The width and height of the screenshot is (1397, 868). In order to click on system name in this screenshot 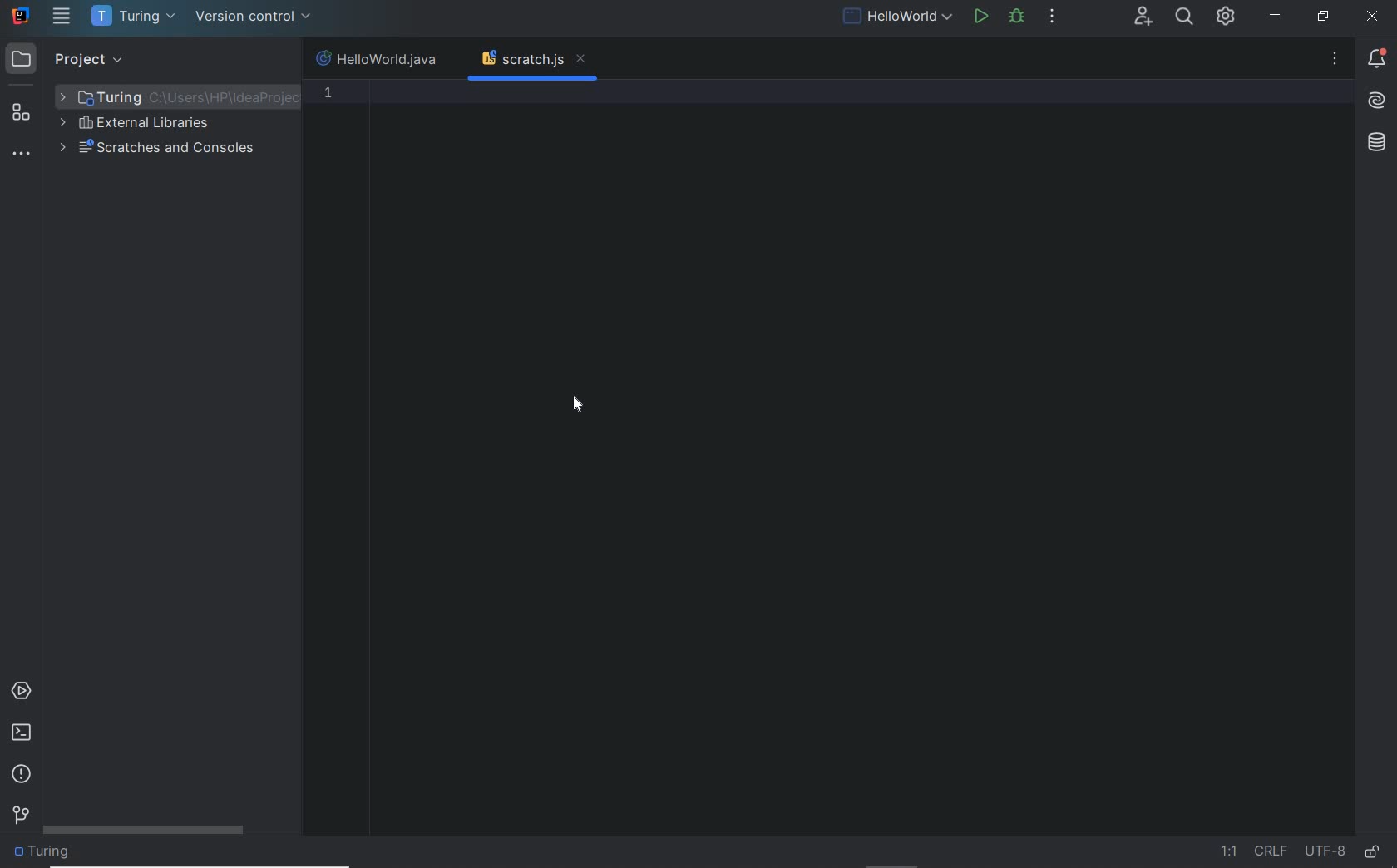, I will do `click(21, 16)`.